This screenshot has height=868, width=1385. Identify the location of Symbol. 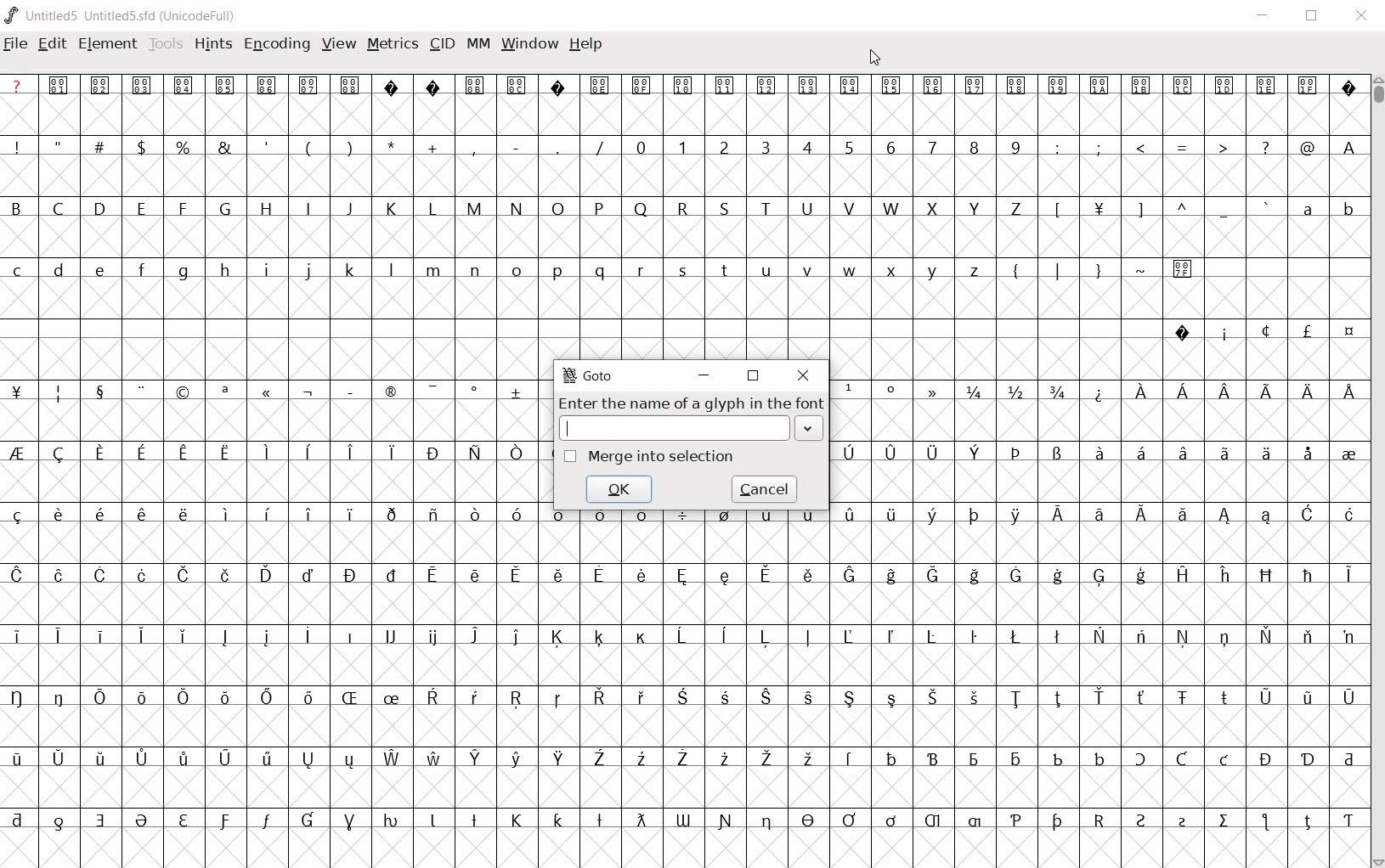
(810, 87).